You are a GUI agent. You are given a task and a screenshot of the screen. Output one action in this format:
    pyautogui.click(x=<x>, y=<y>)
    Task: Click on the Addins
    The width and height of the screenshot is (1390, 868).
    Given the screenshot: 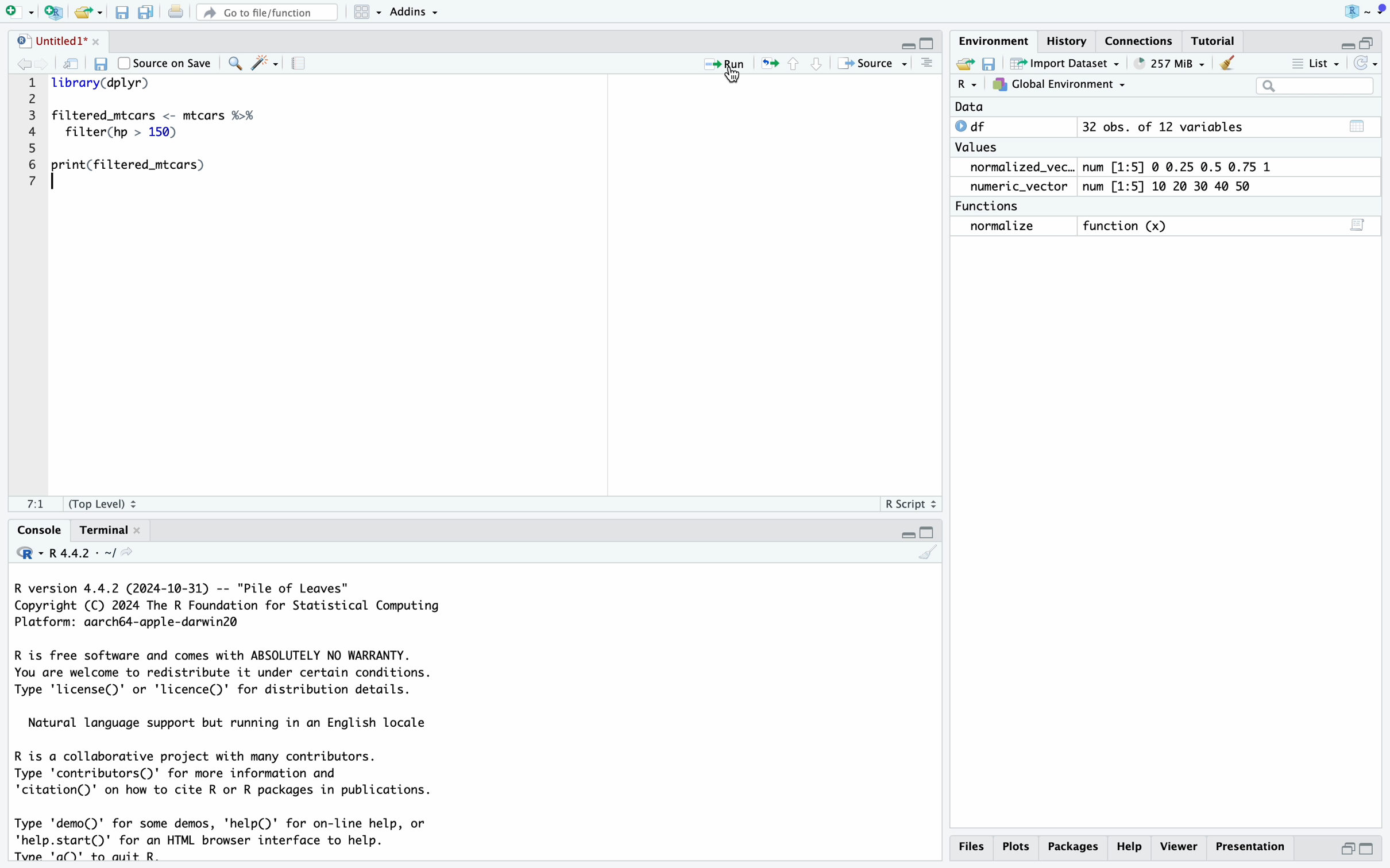 What is the action you would take?
    pyautogui.click(x=413, y=13)
    